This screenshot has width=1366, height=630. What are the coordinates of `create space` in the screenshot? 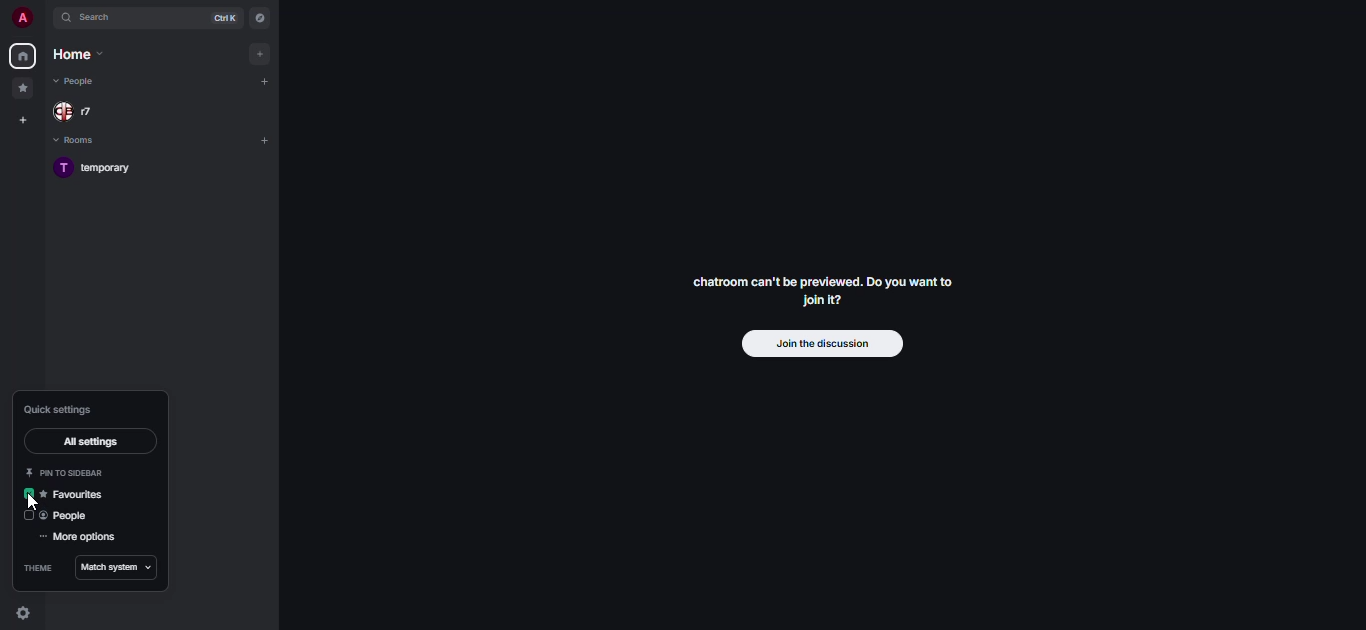 It's located at (20, 122).